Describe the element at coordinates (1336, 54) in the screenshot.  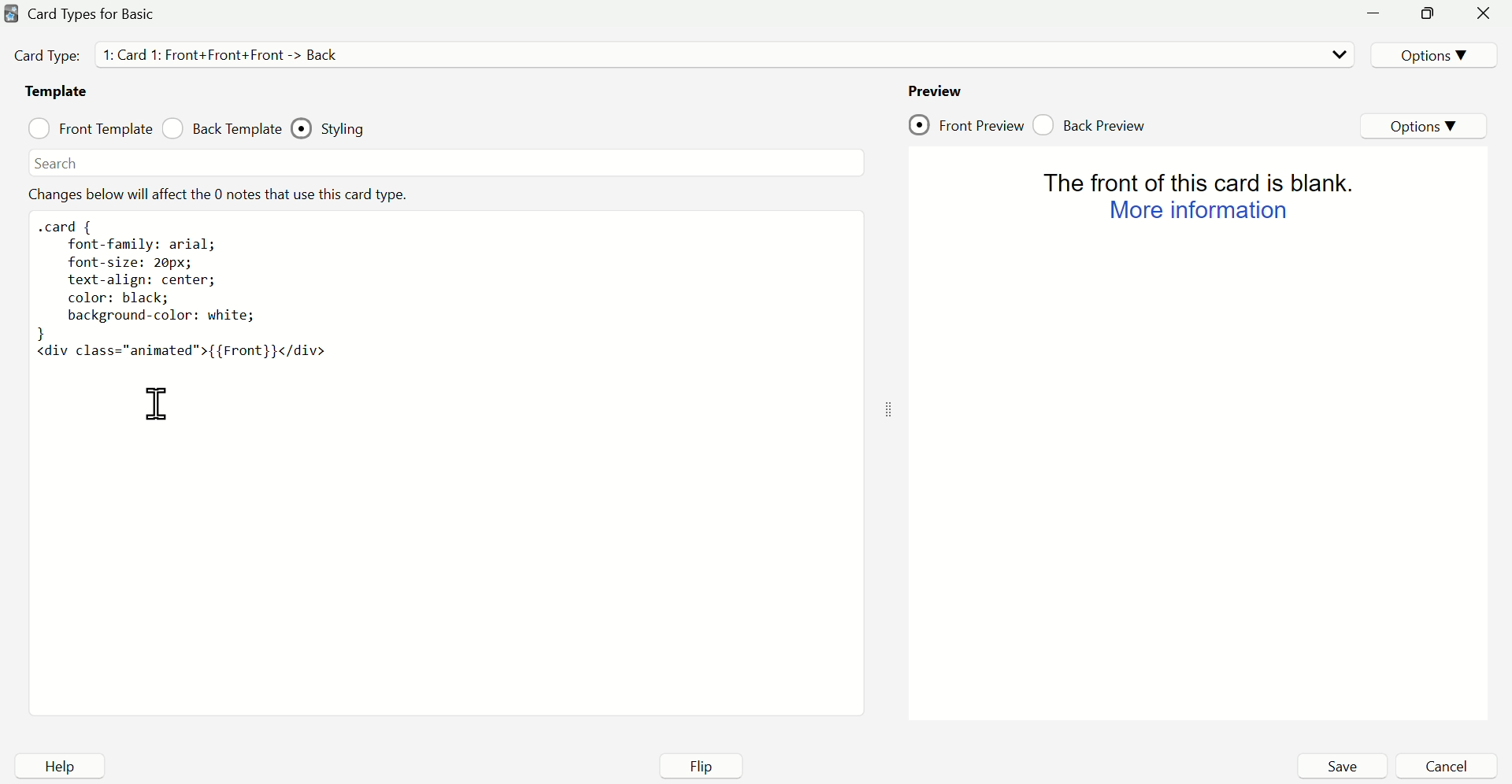
I see `Dropdown` at that location.